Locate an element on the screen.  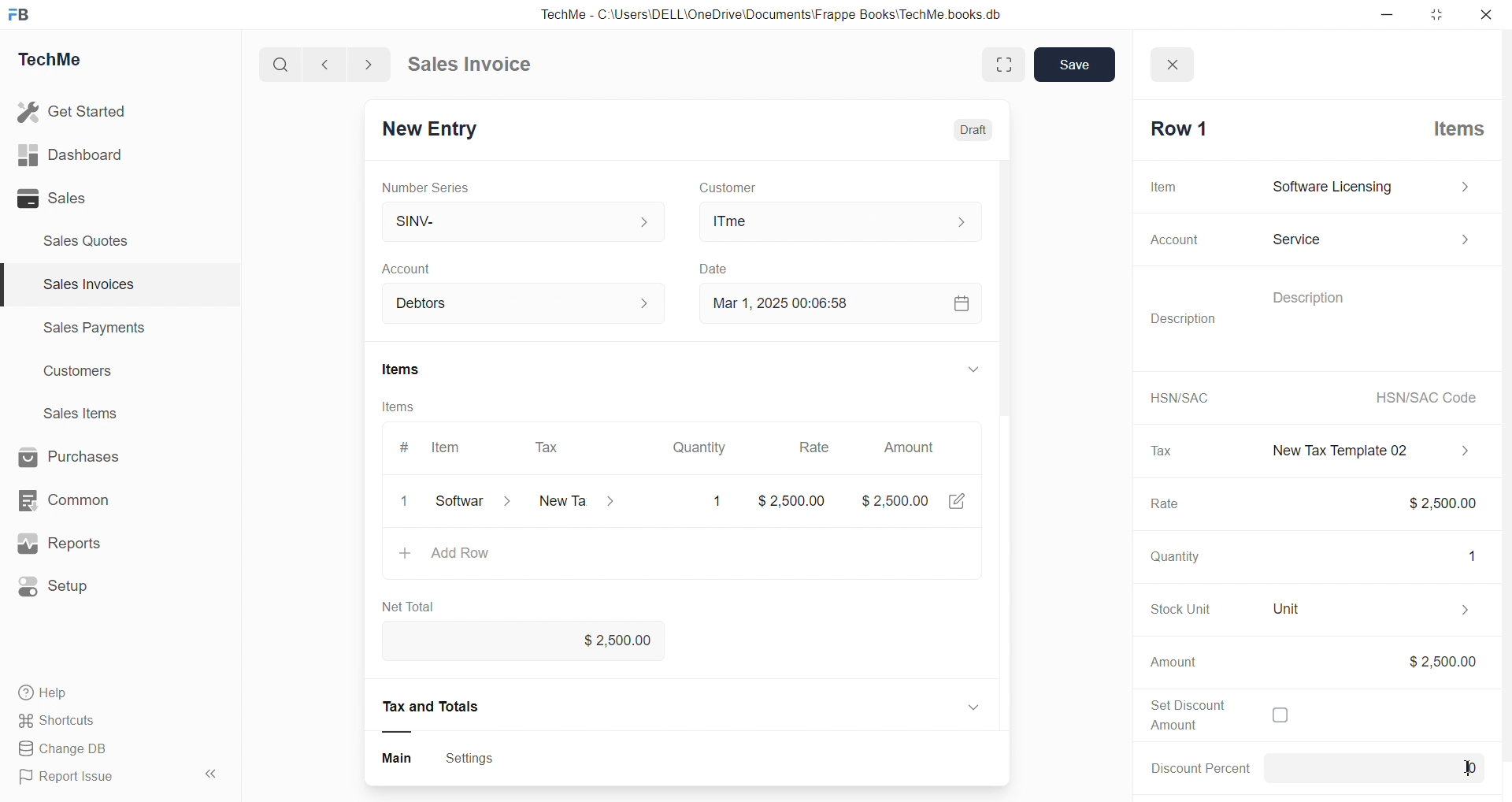
1 is located at coordinates (1465, 554).